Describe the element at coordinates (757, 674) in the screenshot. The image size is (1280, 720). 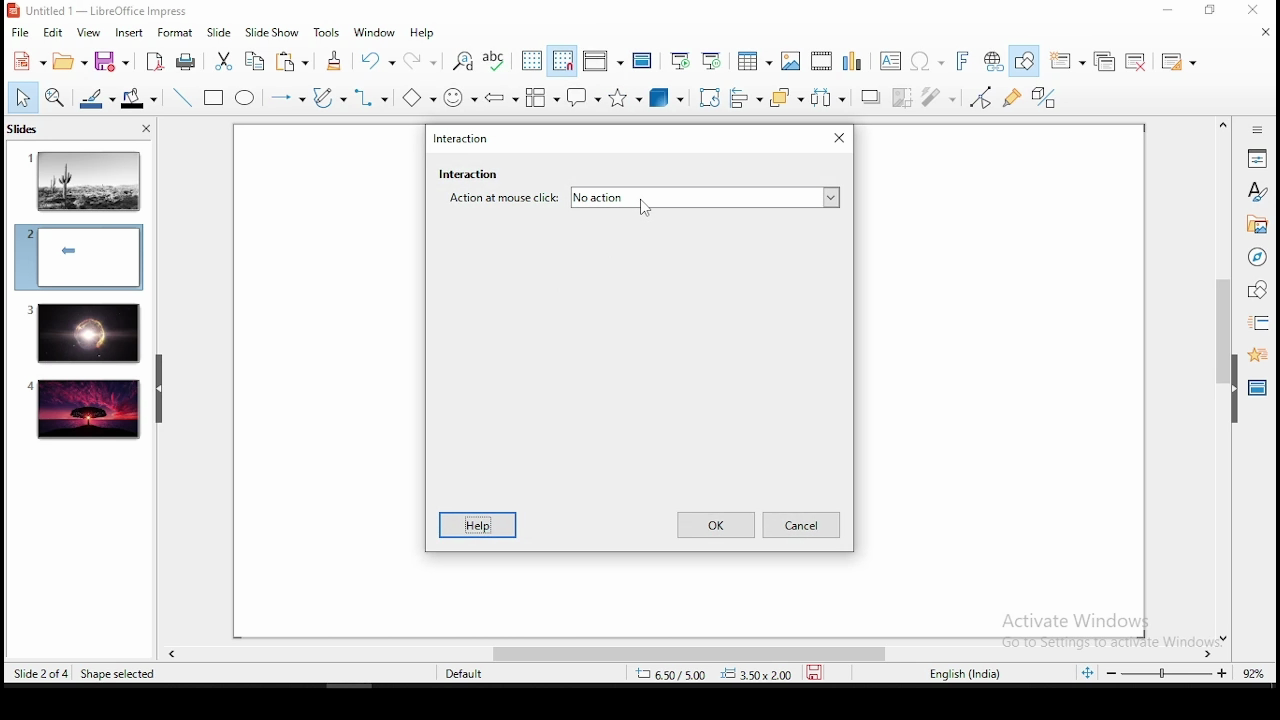
I see `0.00x0.00` at that location.